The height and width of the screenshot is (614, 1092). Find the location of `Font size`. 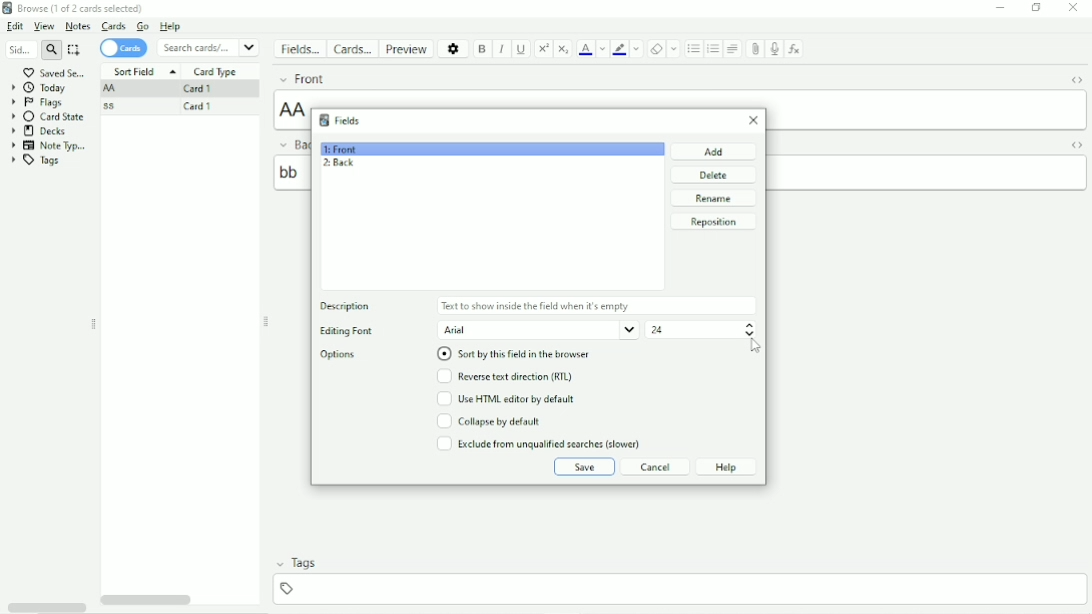

Font size is located at coordinates (691, 329).